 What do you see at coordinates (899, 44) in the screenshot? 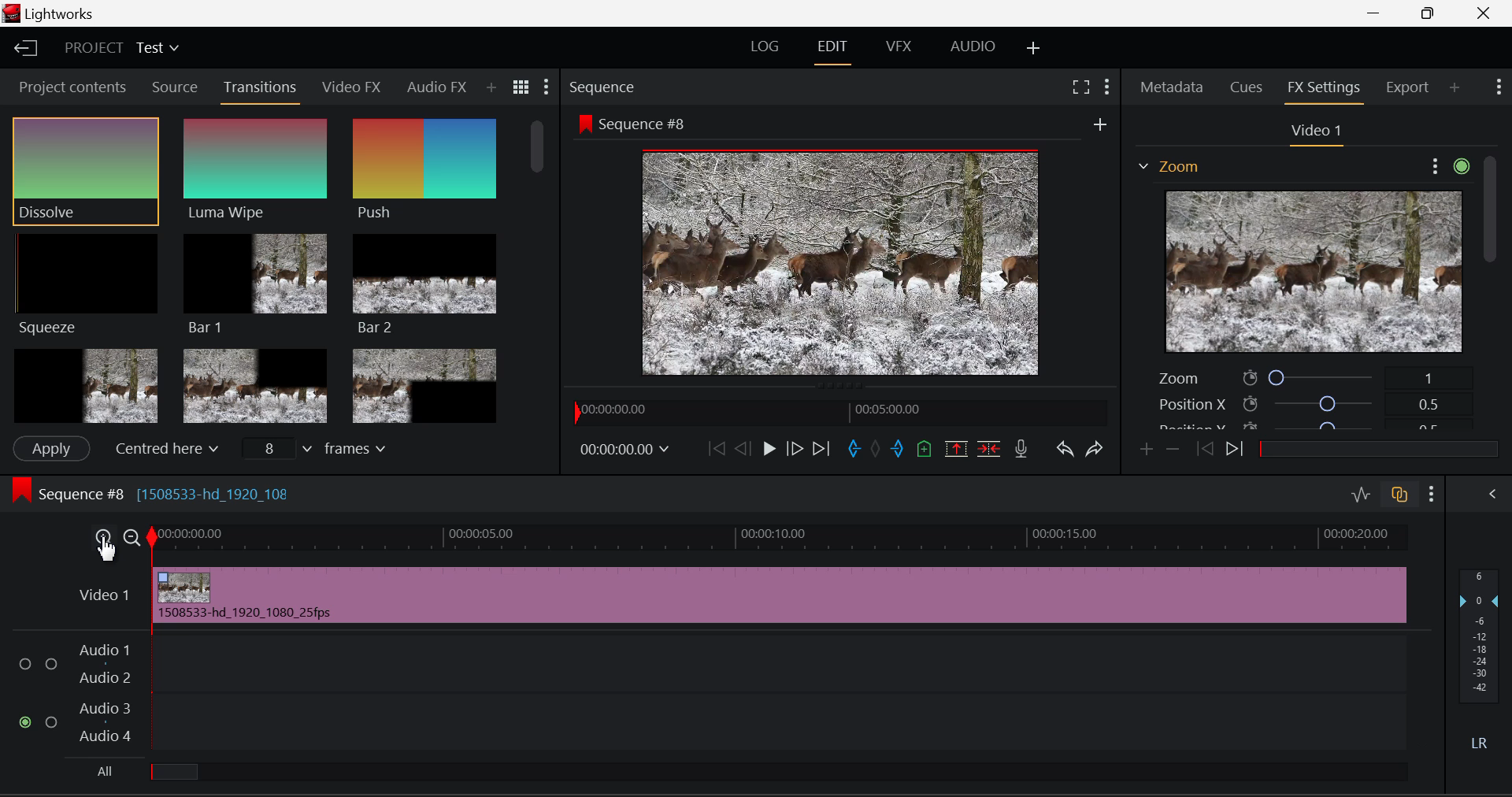
I see `VFX Layout` at bounding box center [899, 44].